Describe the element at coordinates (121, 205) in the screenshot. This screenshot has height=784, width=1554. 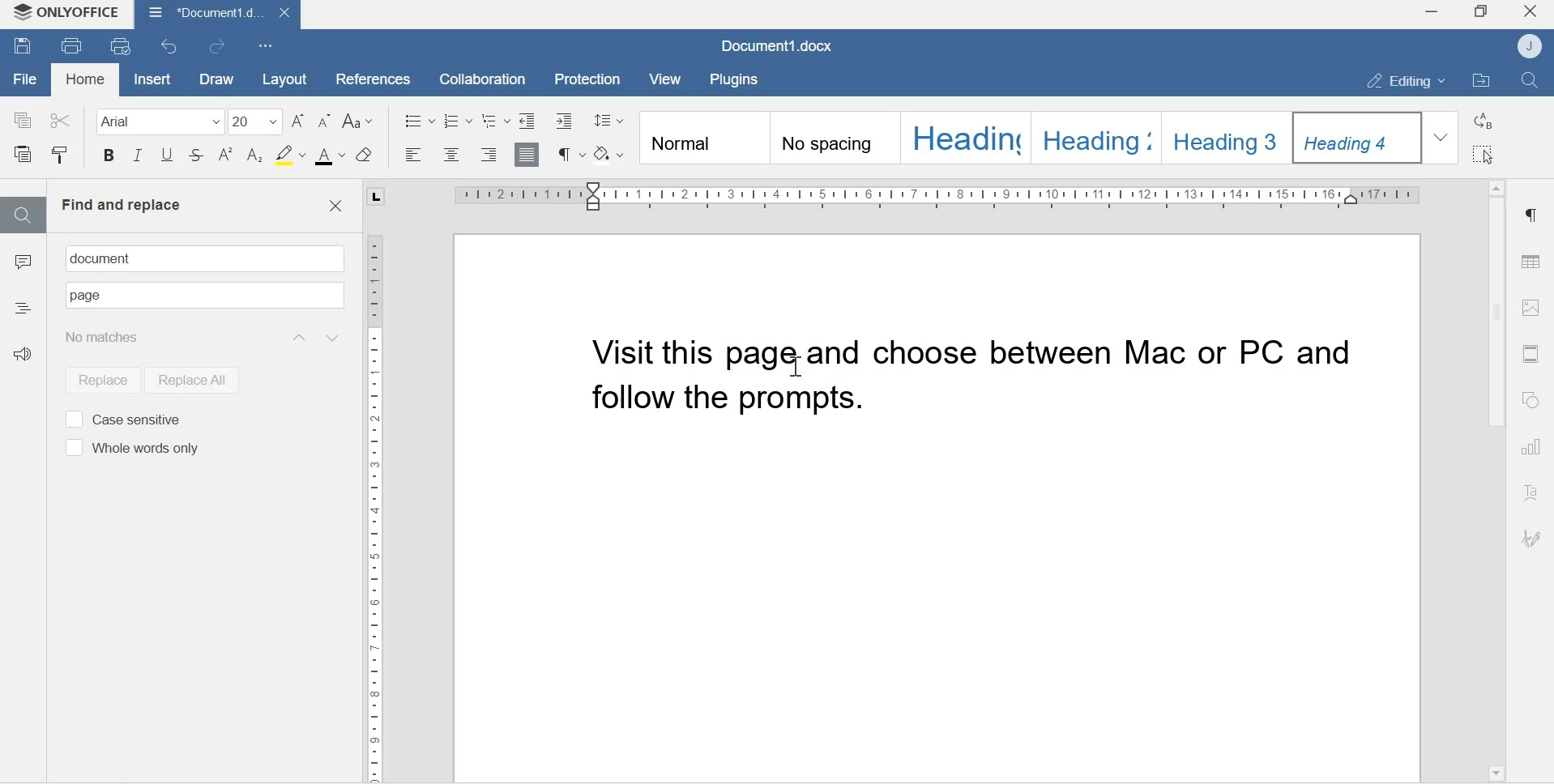
I see `Find and replace` at that location.